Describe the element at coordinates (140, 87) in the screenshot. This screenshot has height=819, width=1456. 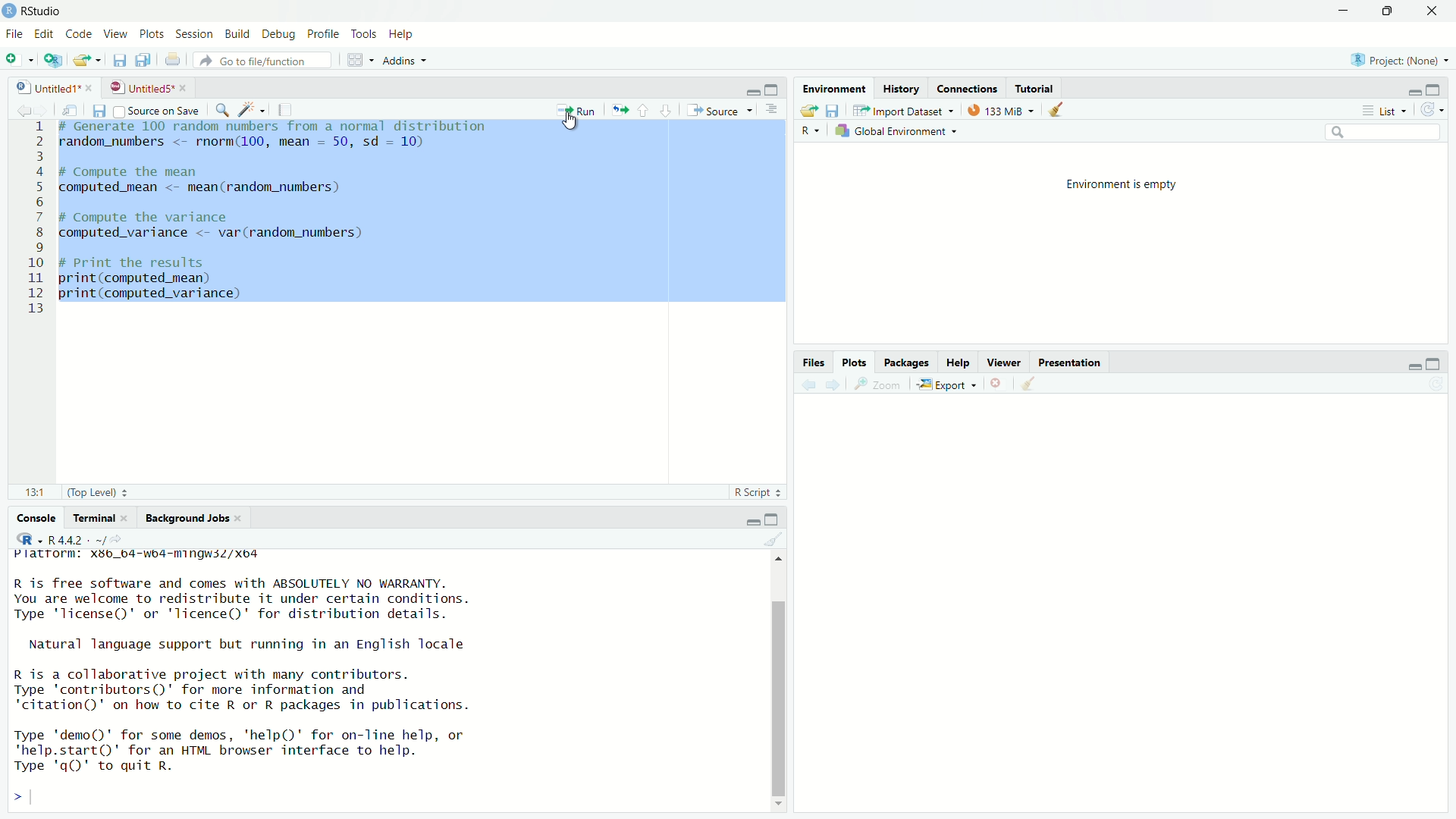
I see `untitled5` at that location.